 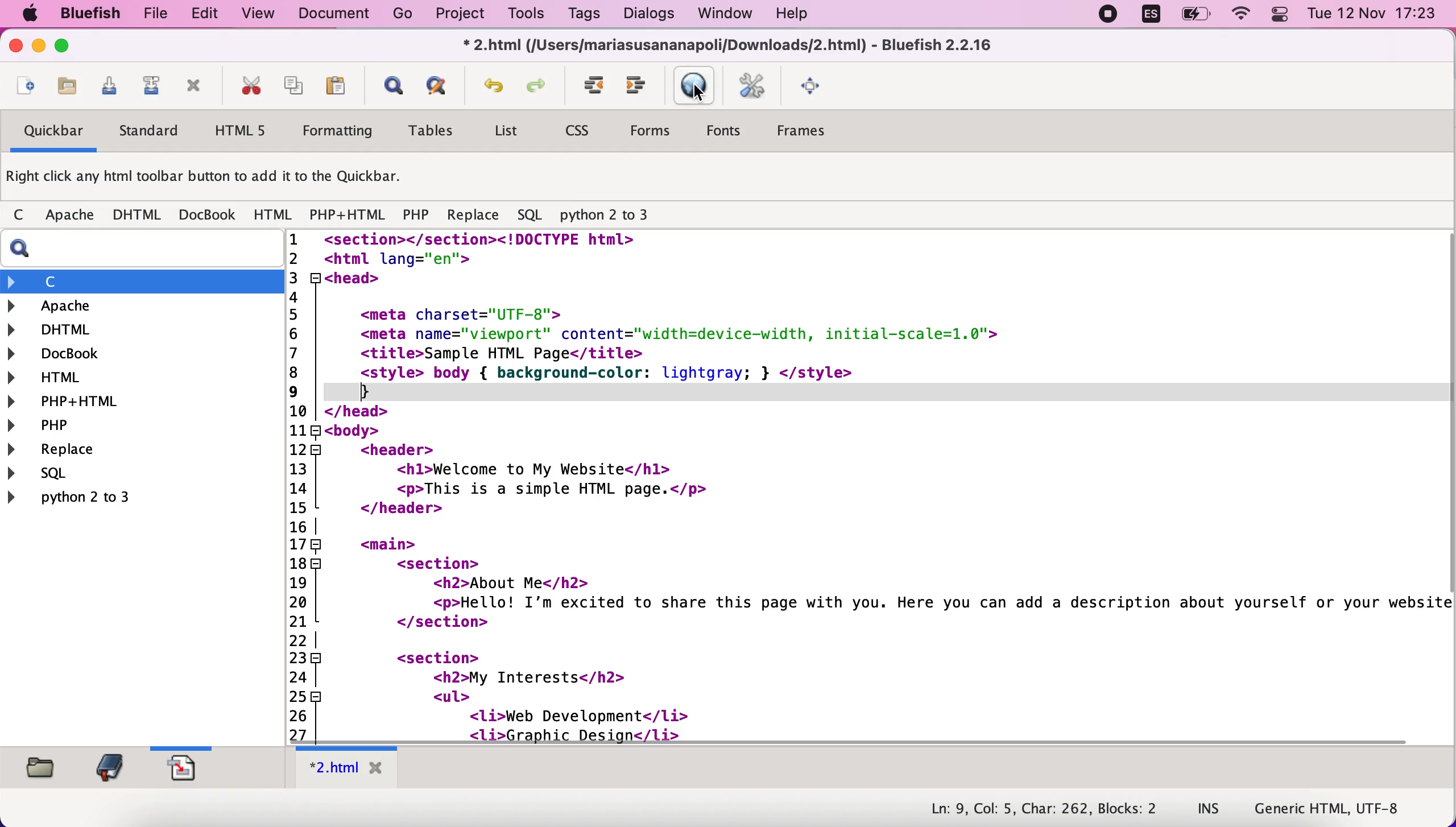 I want to click on control center, so click(x=1279, y=16).